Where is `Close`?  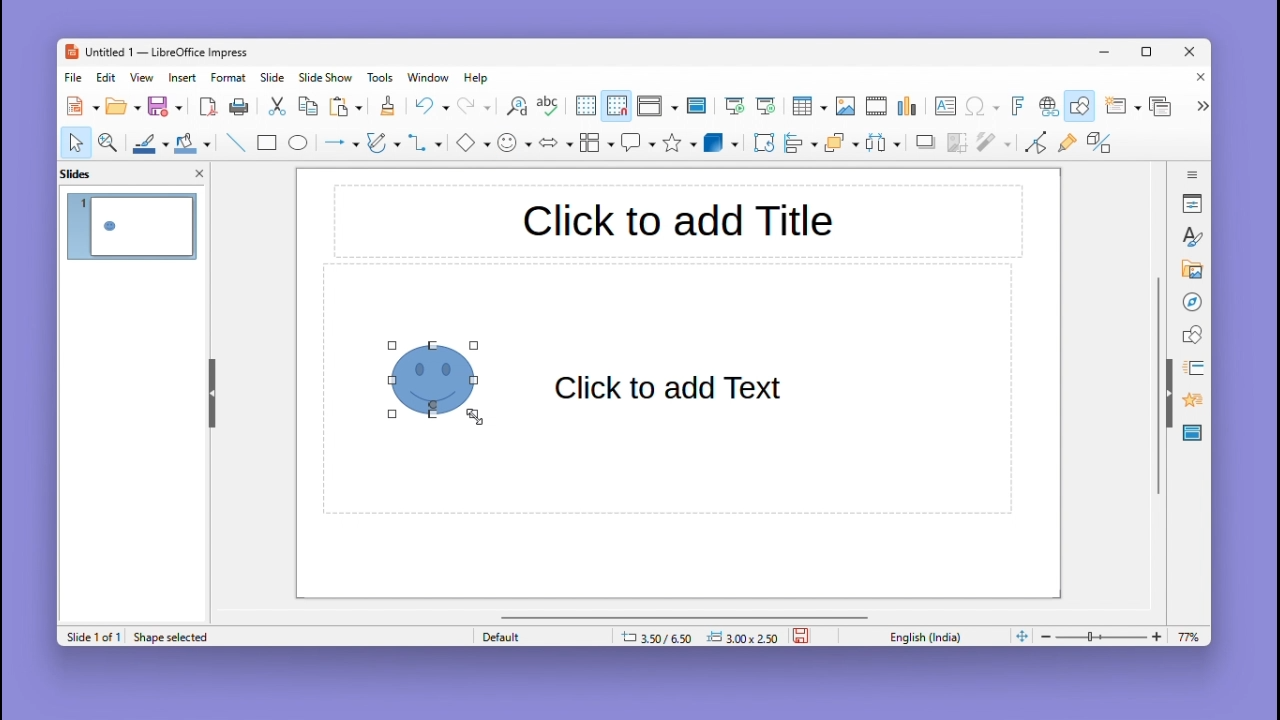 Close is located at coordinates (1191, 53).